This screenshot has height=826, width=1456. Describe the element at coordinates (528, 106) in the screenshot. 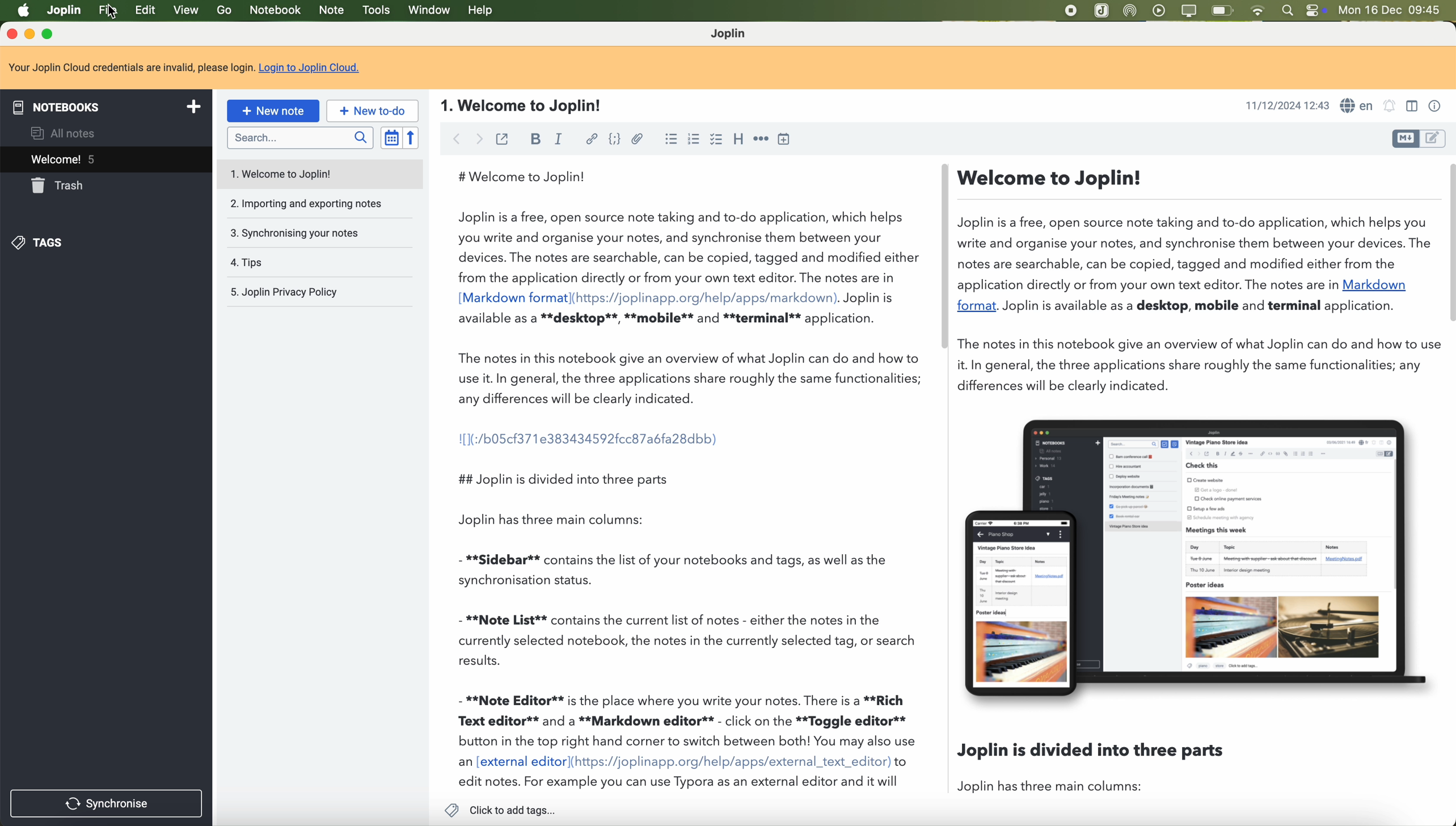

I see `1. Welcome to Joplin!` at that location.